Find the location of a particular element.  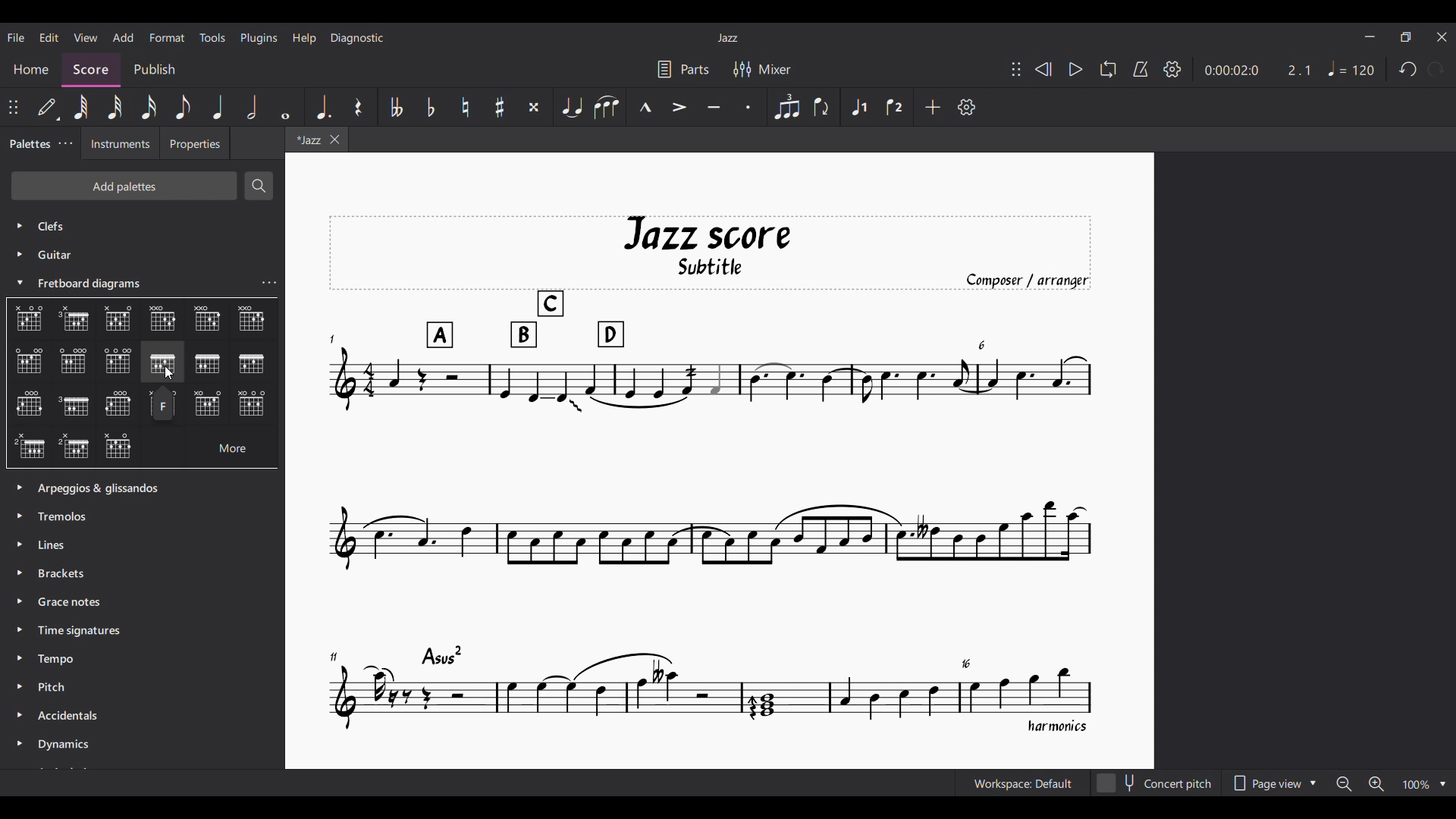

Title of current score is located at coordinates (727, 38).